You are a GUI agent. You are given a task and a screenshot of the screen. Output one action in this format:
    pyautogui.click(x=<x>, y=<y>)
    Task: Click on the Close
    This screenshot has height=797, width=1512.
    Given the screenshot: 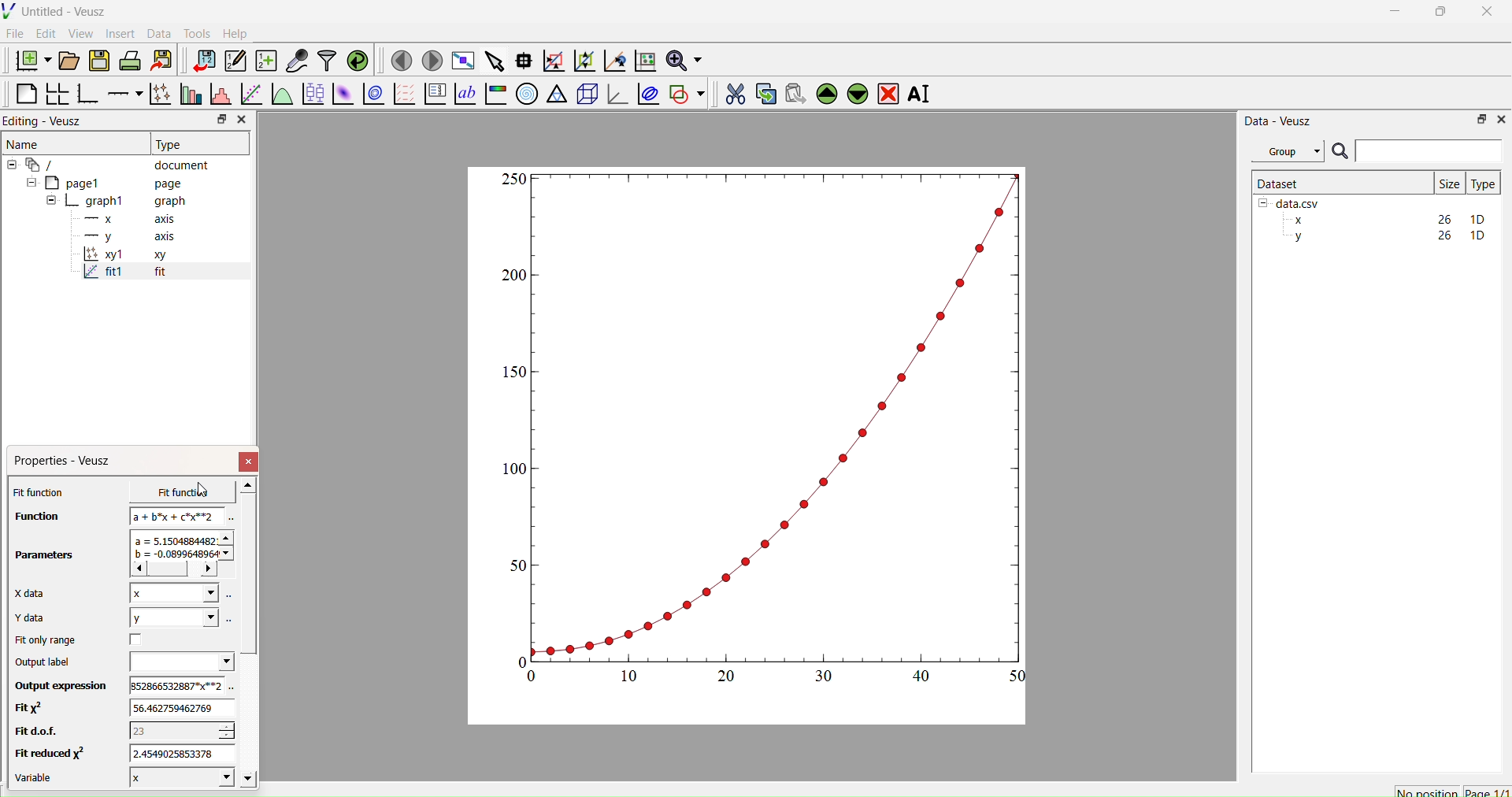 What is the action you would take?
    pyautogui.click(x=1488, y=16)
    